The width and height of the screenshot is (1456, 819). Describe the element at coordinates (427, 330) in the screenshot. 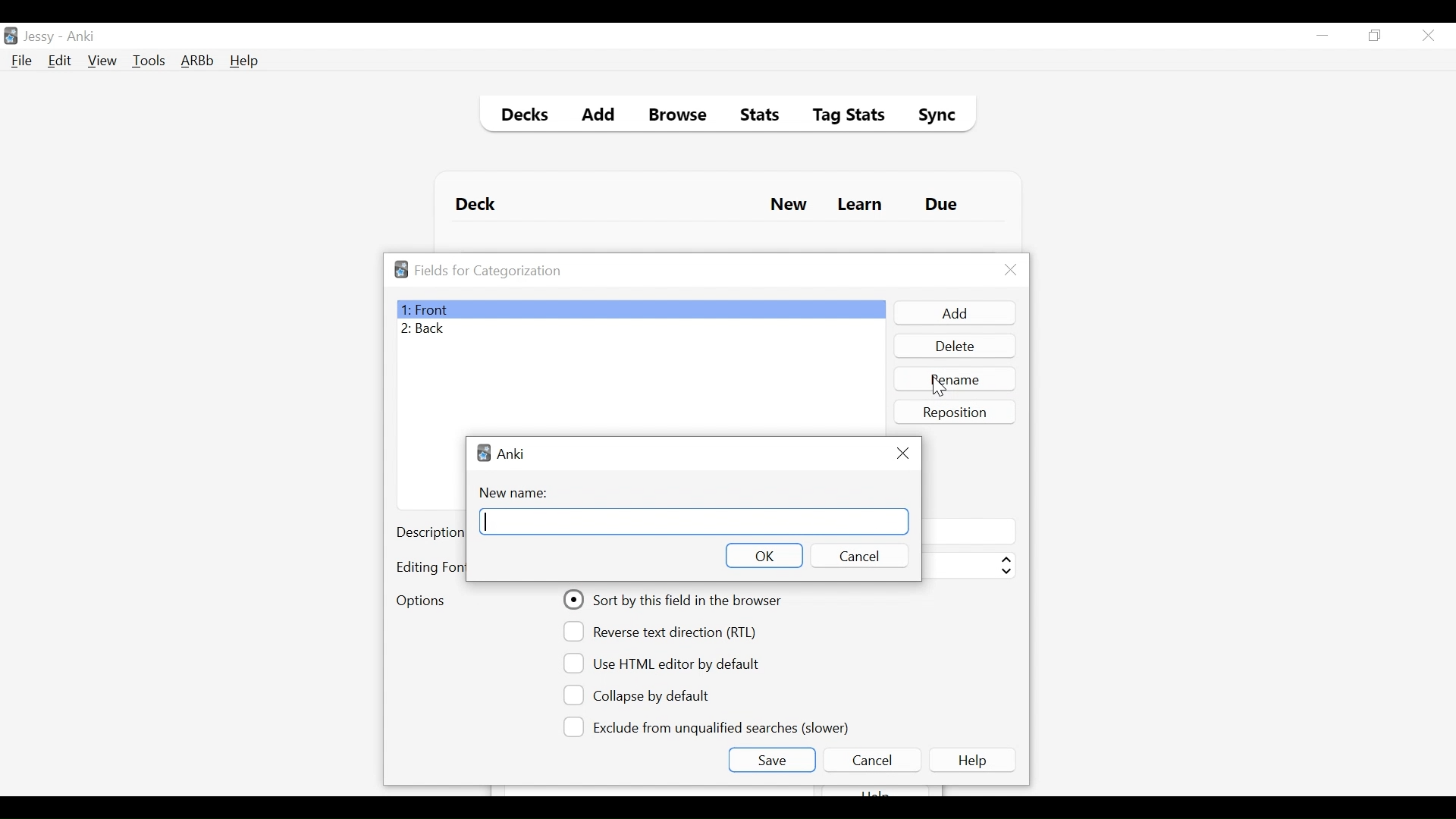

I see `Back` at that location.